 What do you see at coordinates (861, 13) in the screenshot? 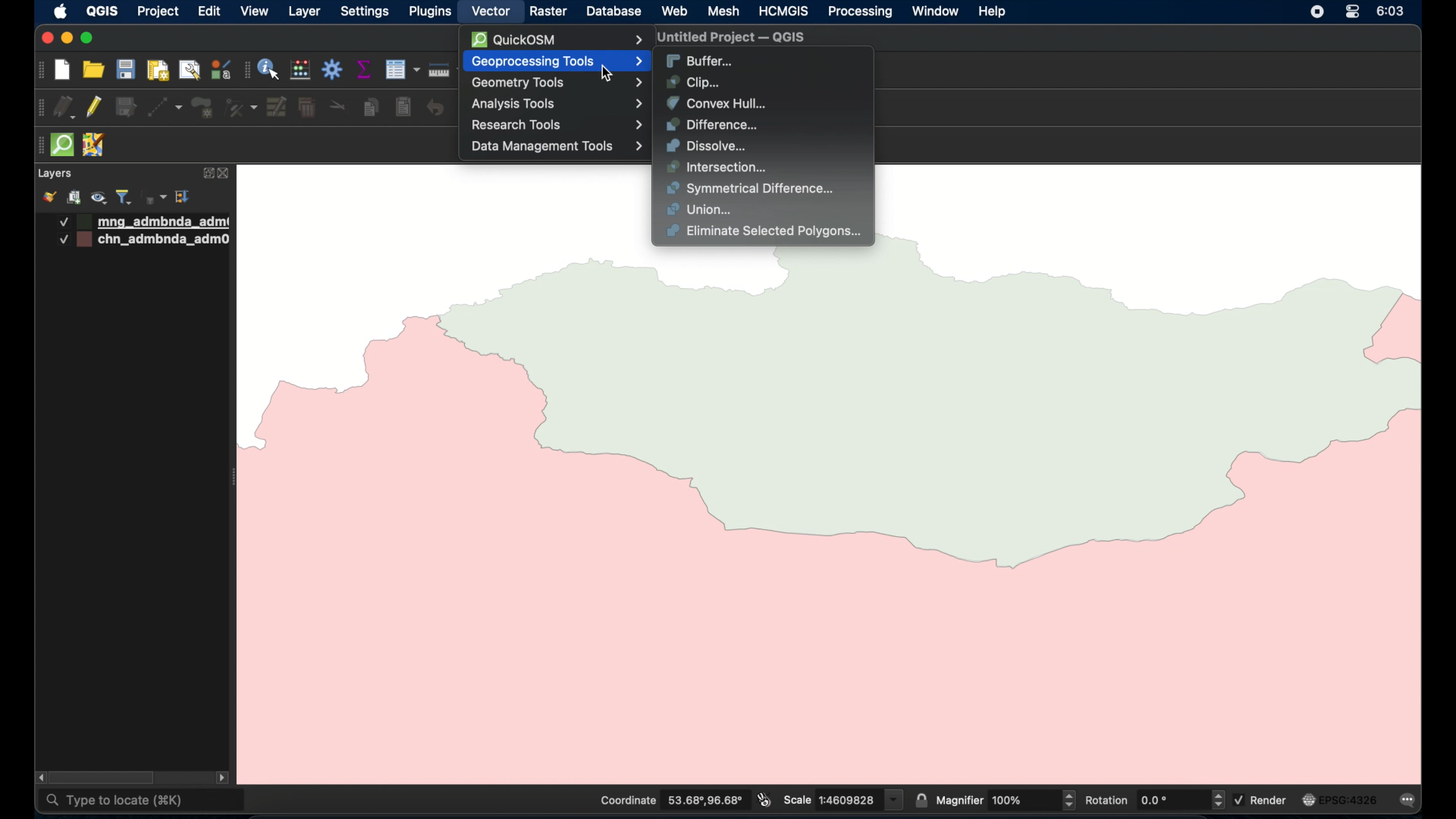
I see `processing` at bounding box center [861, 13].